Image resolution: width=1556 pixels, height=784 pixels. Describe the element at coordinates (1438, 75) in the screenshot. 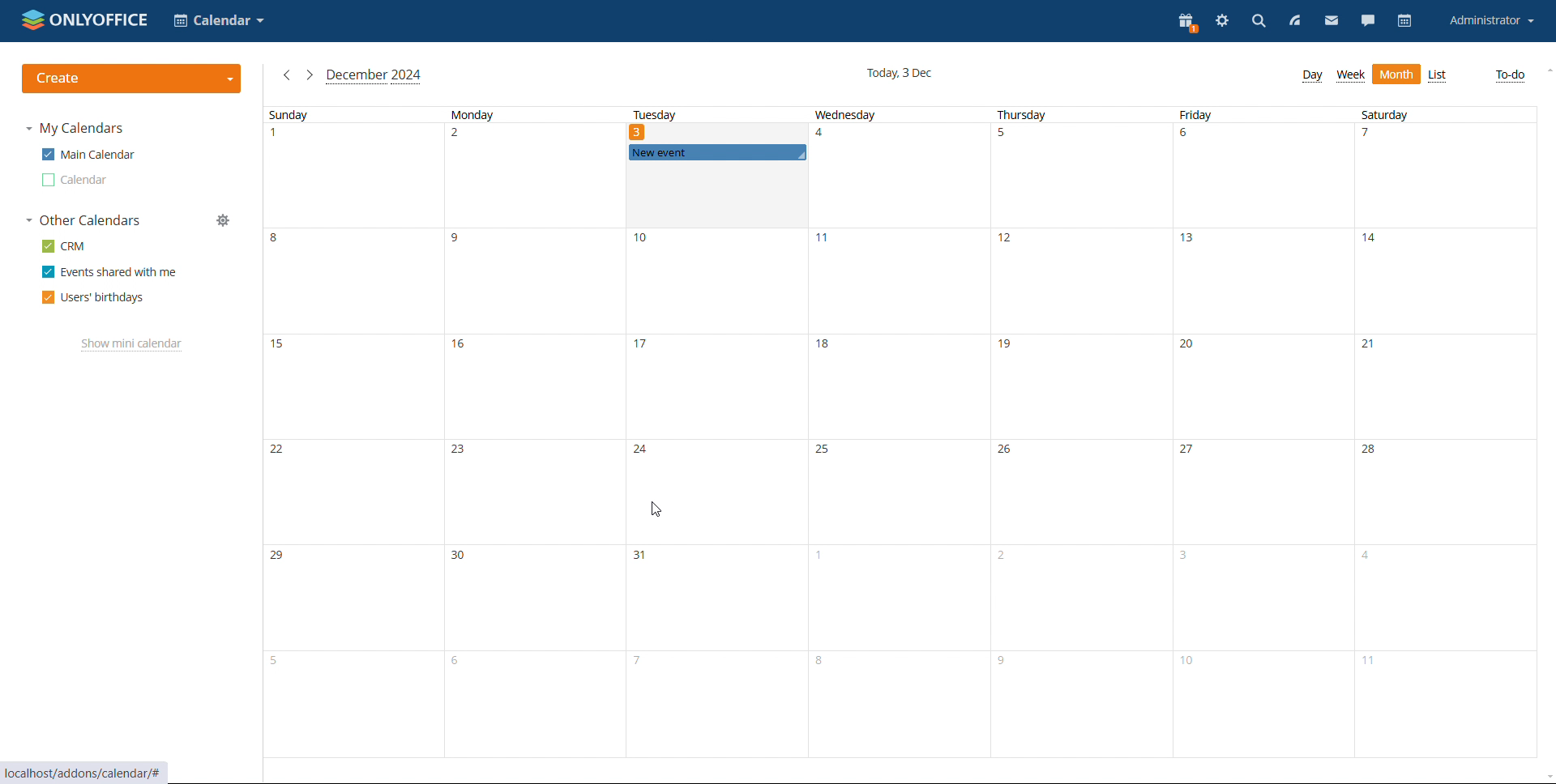

I see `list view` at that location.